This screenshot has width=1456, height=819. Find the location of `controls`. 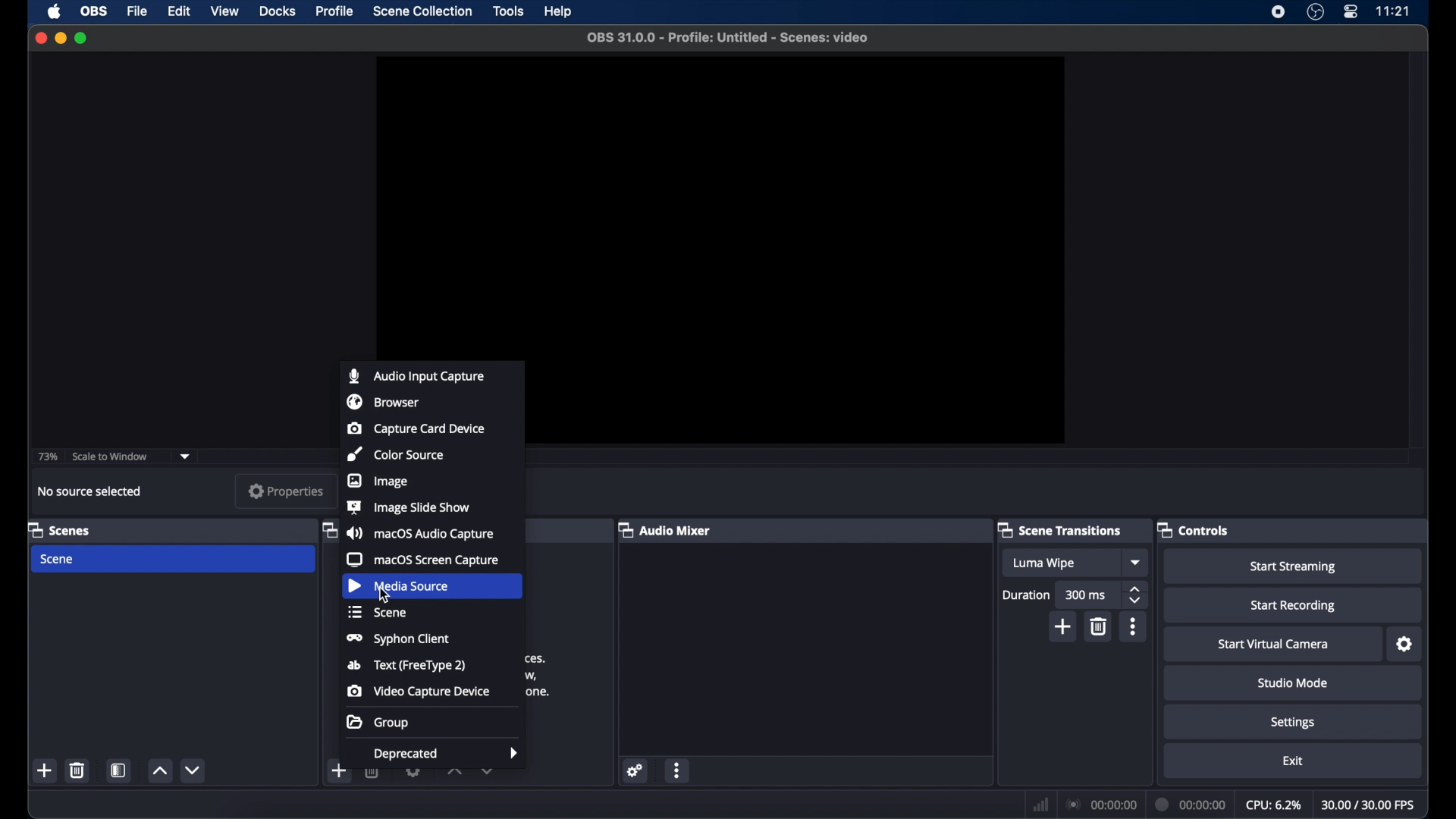

controls is located at coordinates (1194, 529).